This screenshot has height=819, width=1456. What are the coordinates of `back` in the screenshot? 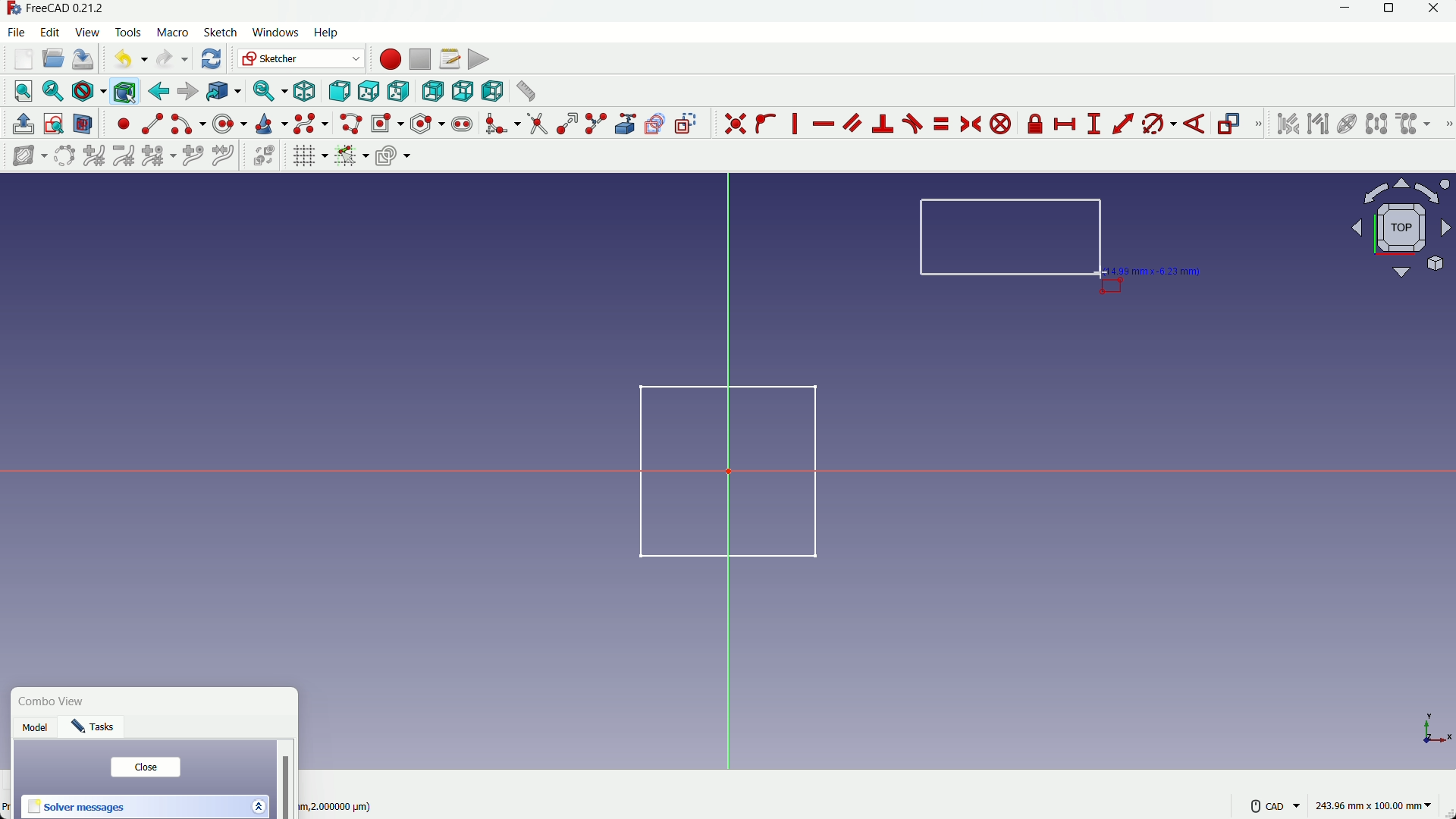 It's located at (158, 91).